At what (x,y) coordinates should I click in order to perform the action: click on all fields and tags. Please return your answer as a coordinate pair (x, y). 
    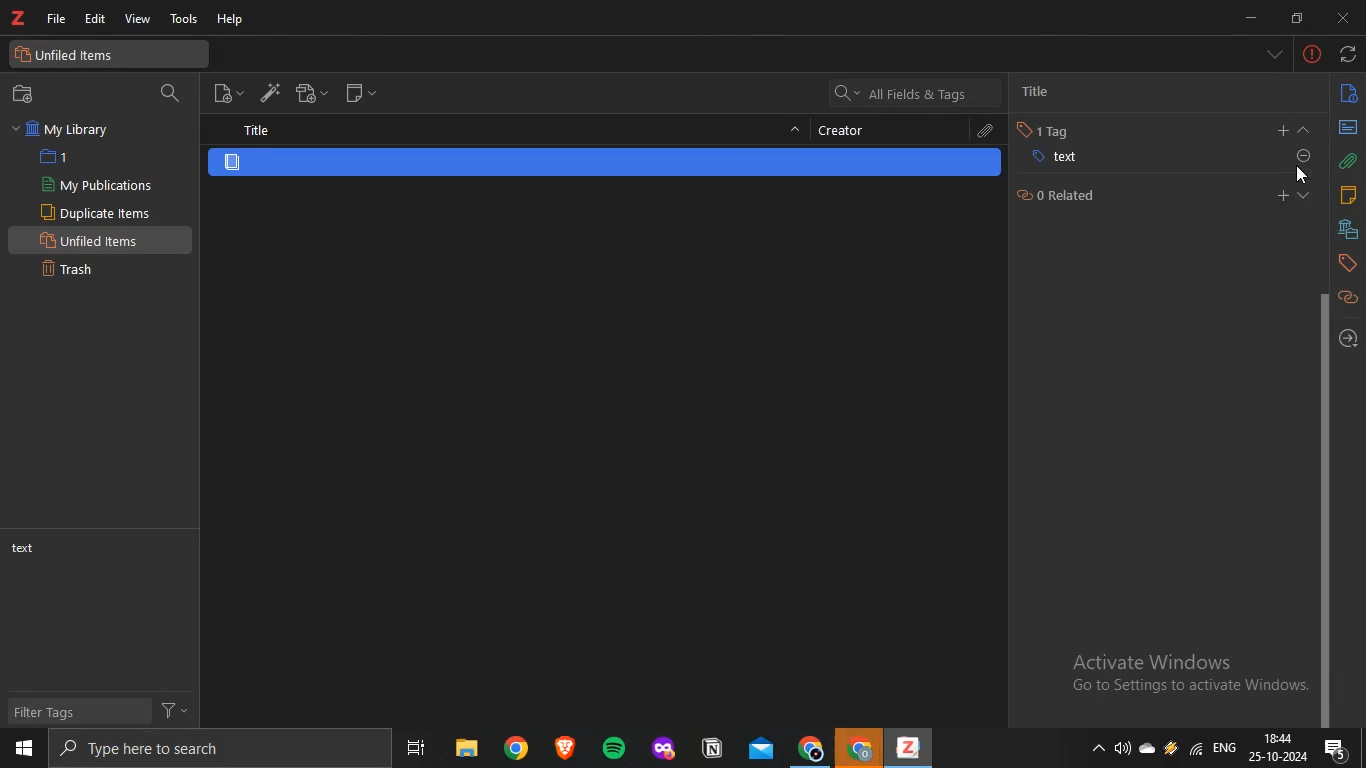
    Looking at the image, I should click on (906, 94).